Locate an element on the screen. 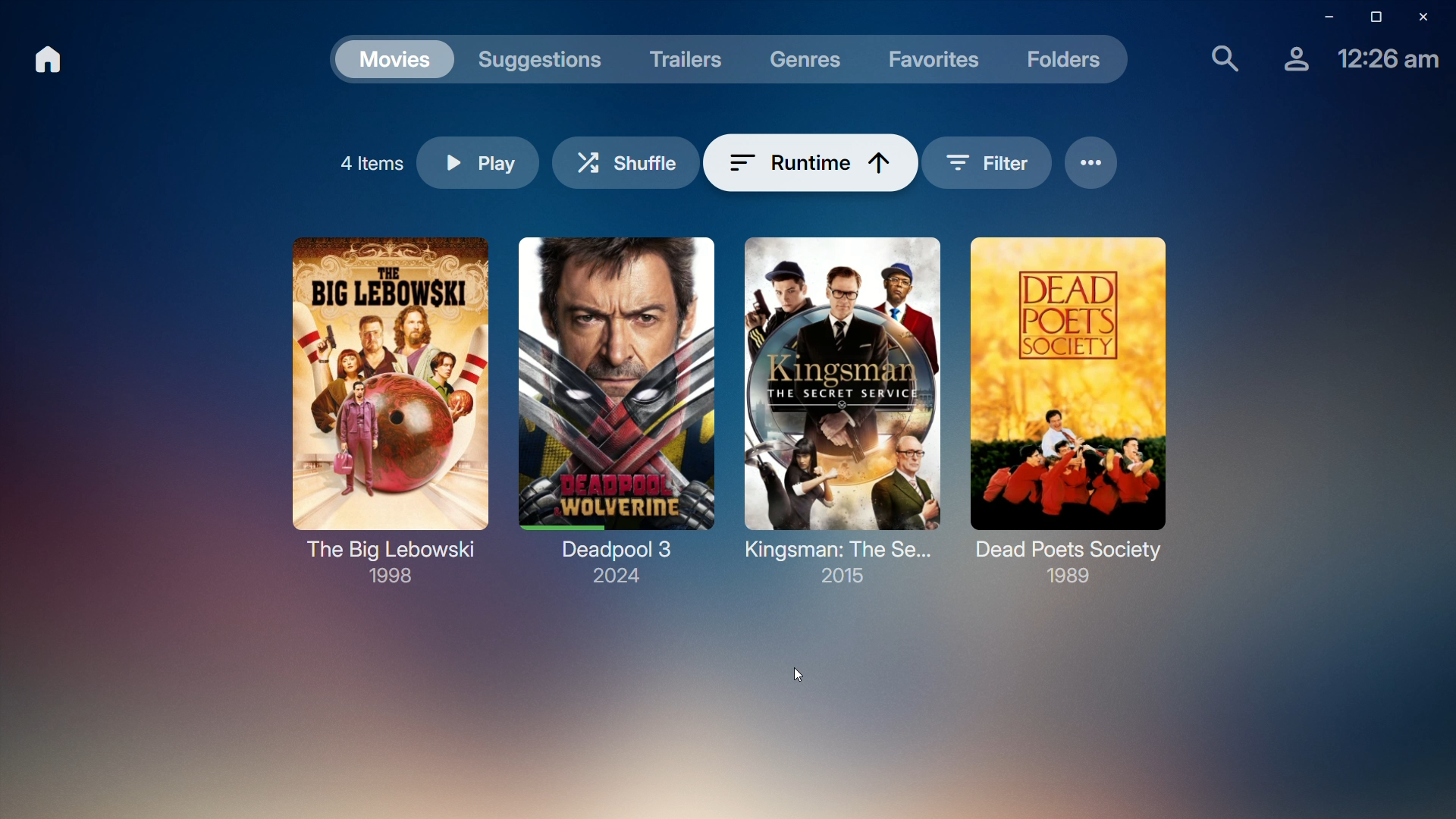 The image size is (1456, 819). Deadpool 3 is located at coordinates (617, 409).